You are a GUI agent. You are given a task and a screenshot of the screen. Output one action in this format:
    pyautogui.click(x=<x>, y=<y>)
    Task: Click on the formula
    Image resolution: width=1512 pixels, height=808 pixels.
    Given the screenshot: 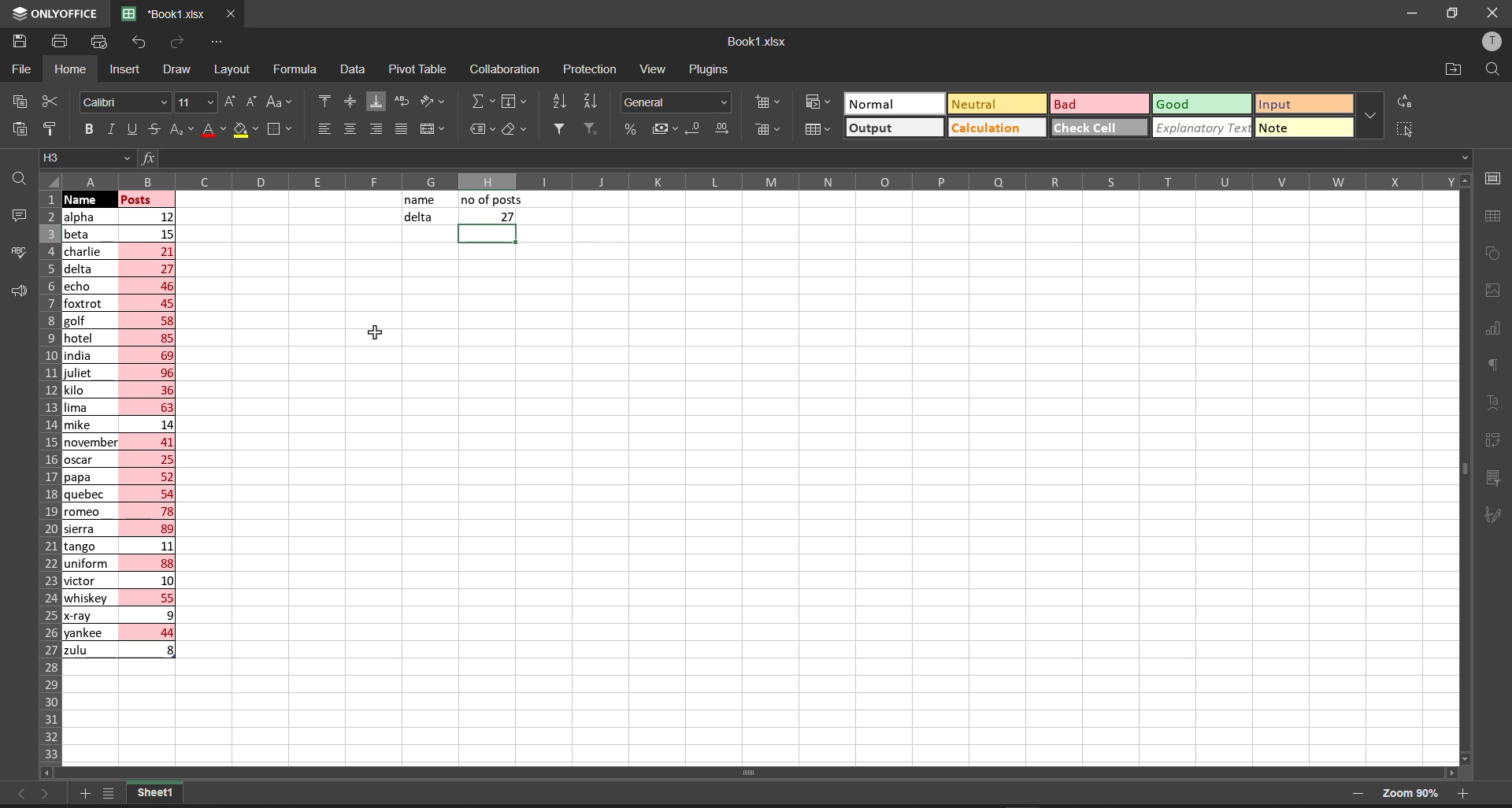 What is the action you would take?
    pyautogui.click(x=298, y=70)
    